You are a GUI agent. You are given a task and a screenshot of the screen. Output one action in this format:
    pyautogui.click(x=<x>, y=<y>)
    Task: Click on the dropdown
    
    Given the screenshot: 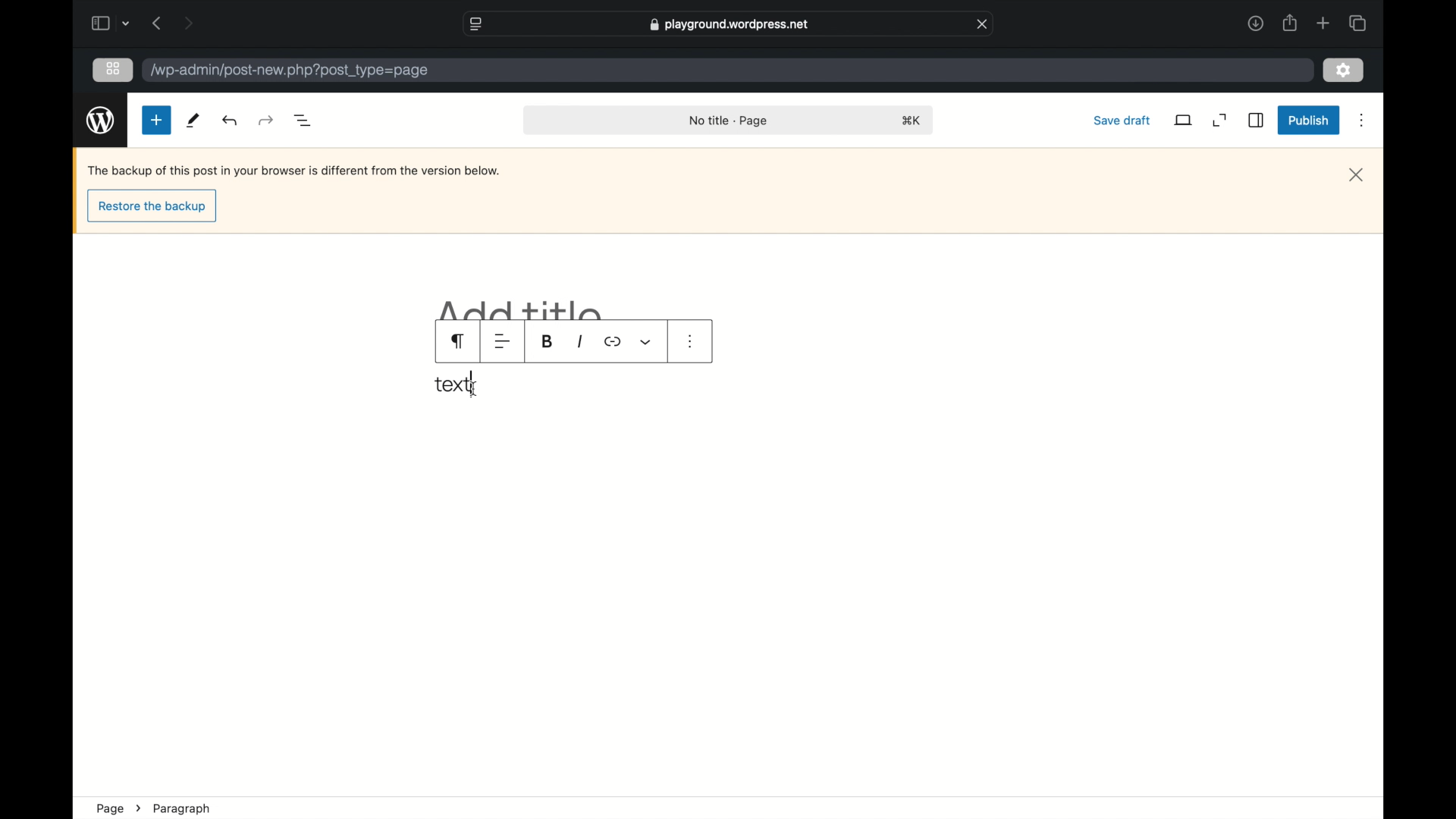 What is the action you would take?
    pyautogui.click(x=127, y=24)
    